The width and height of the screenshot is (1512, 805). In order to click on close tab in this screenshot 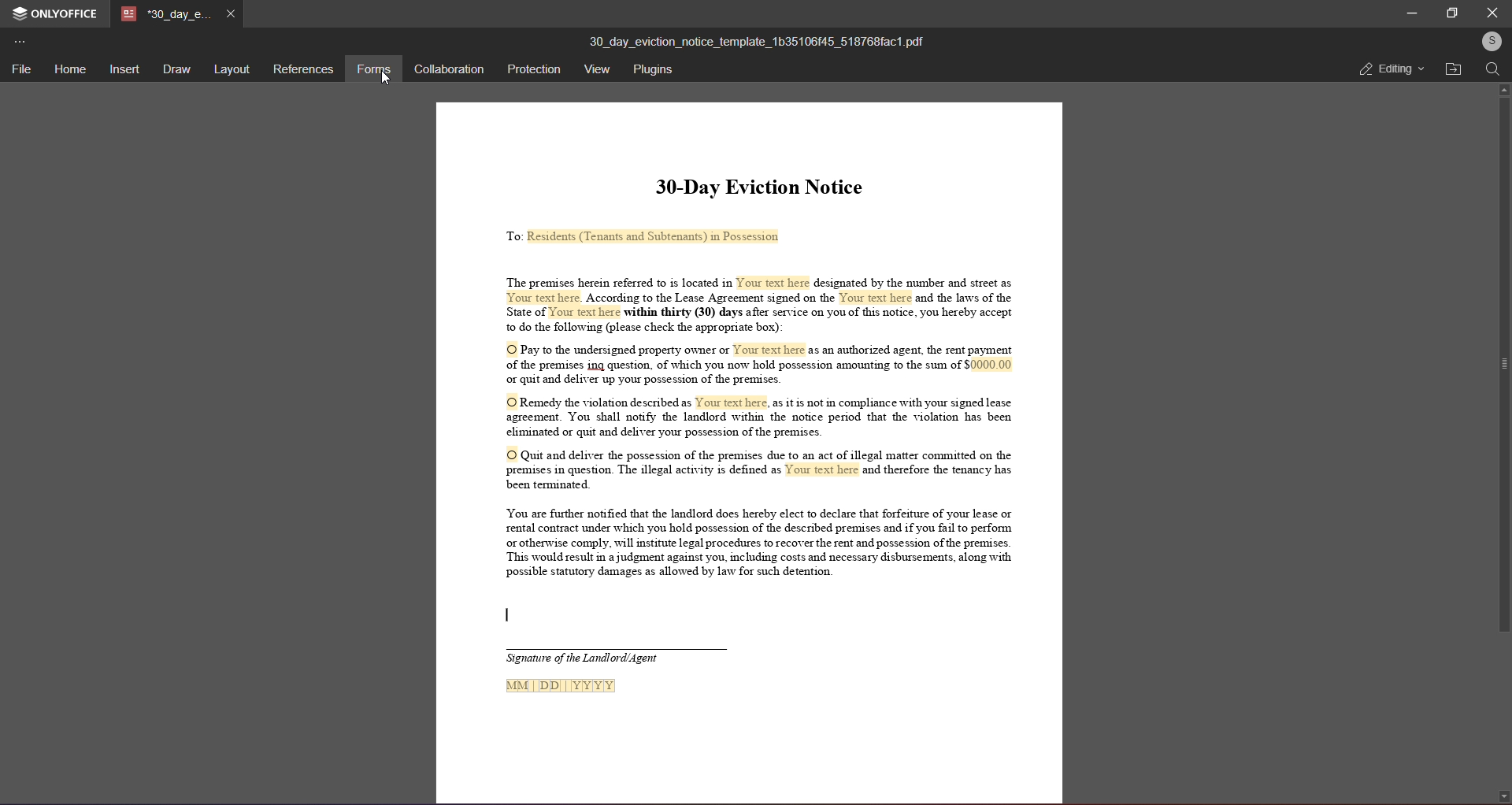, I will do `click(232, 13)`.